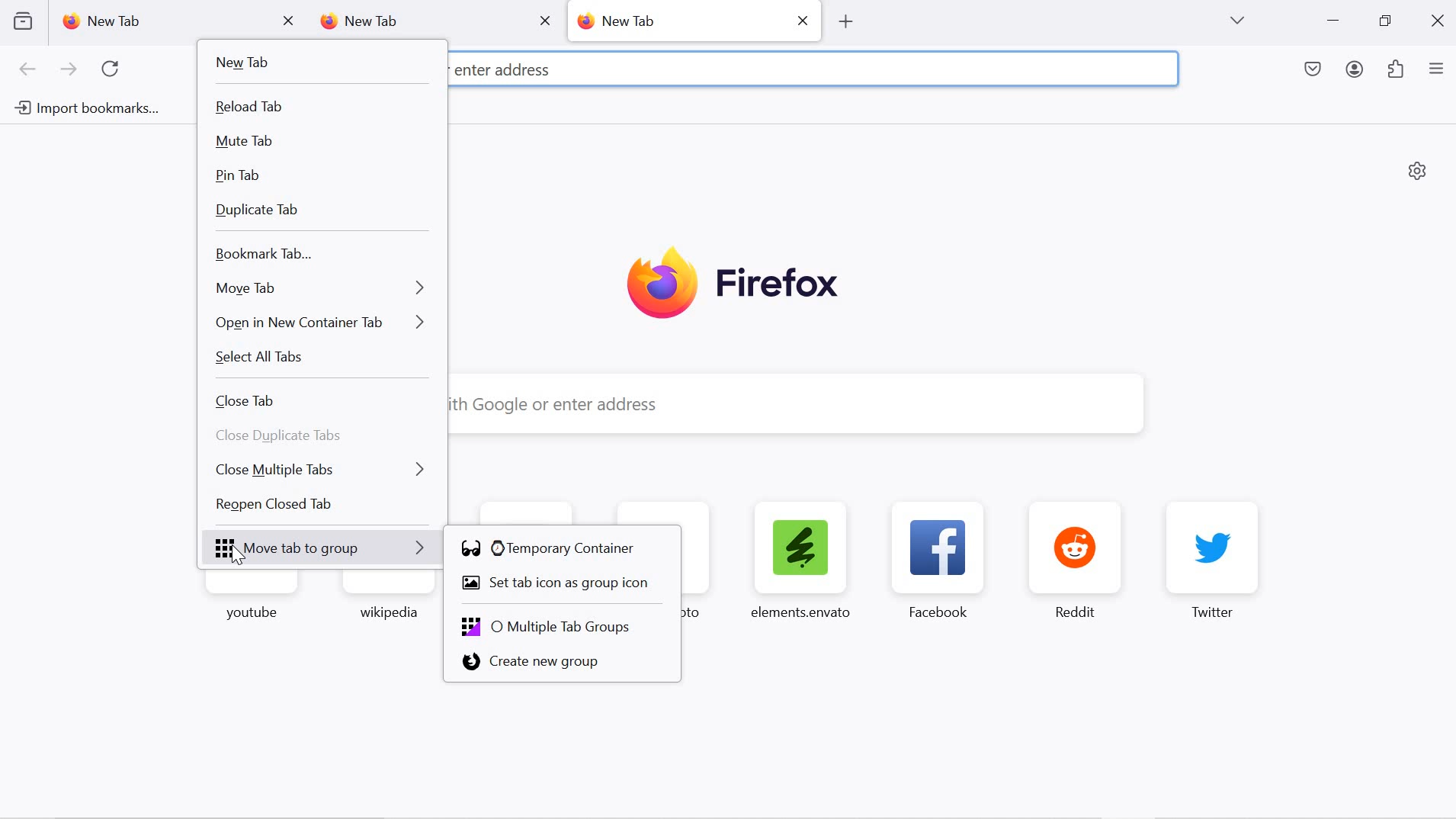  Describe the element at coordinates (326, 437) in the screenshot. I see `close duplicate tabs` at that location.